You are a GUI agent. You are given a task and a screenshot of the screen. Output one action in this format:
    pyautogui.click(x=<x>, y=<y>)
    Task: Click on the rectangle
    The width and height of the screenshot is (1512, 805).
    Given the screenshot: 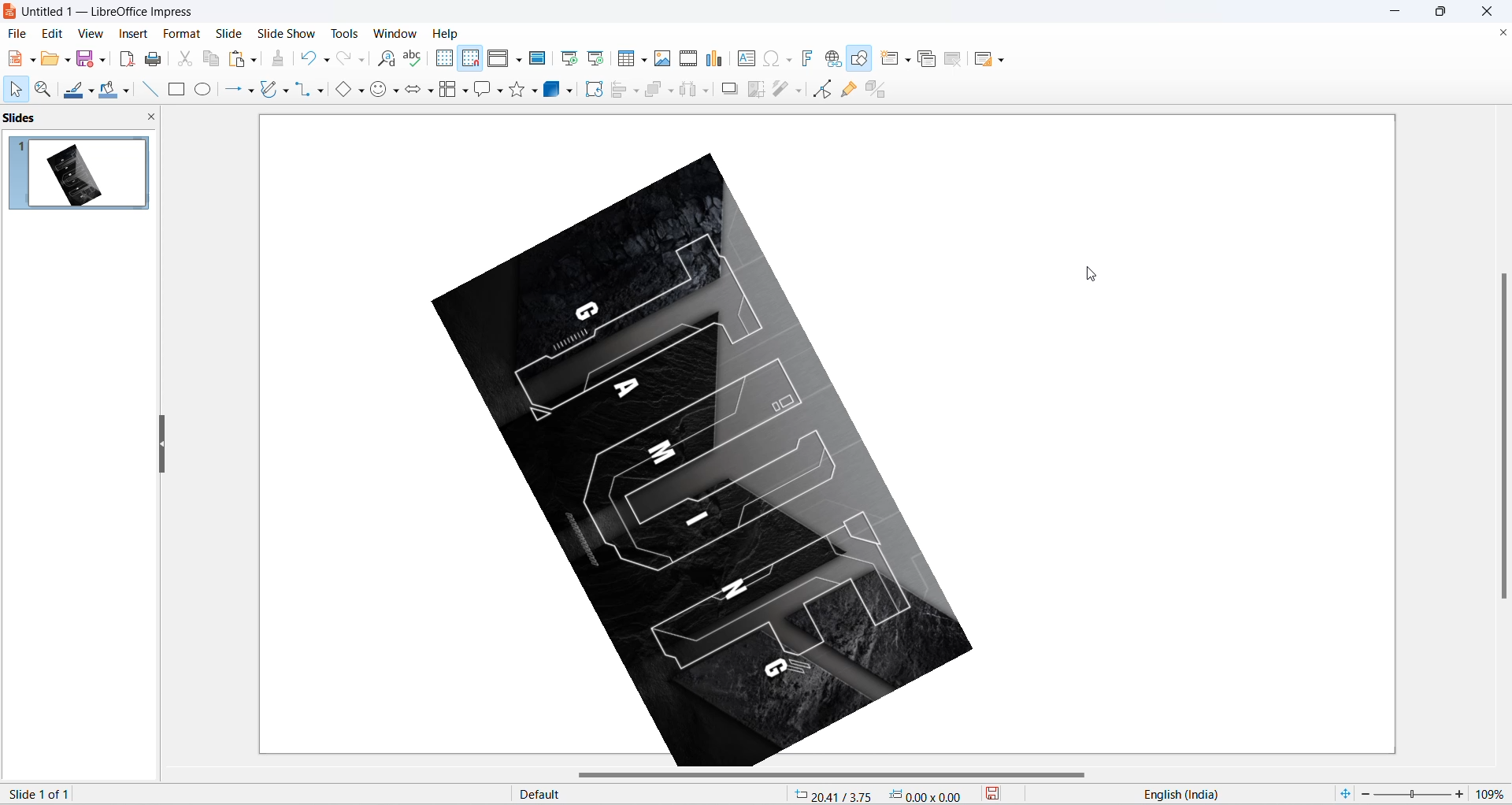 What is the action you would take?
    pyautogui.click(x=176, y=91)
    